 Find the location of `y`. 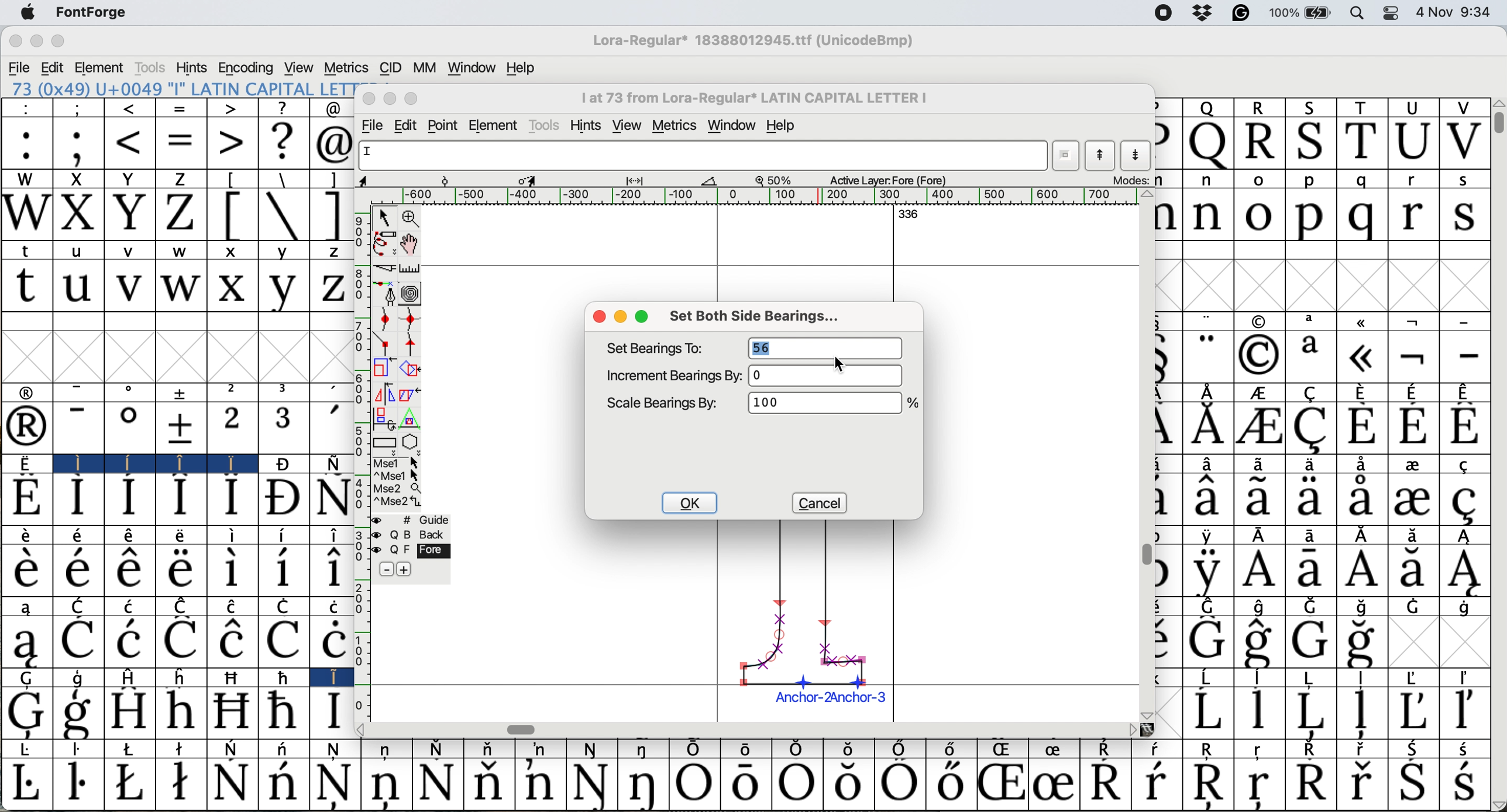

y is located at coordinates (282, 288).